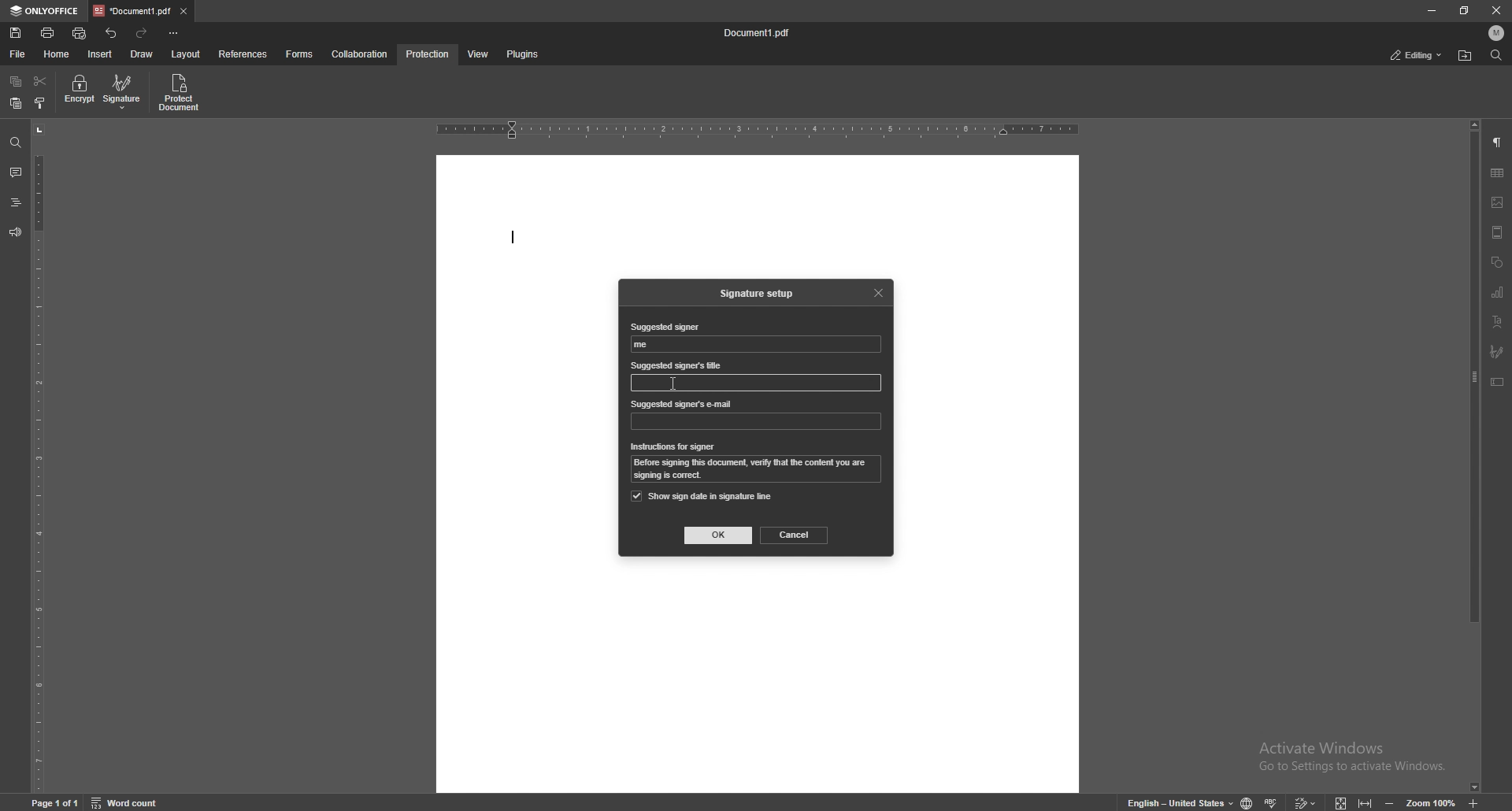 This screenshot has height=811, width=1512. Describe the element at coordinates (49, 32) in the screenshot. I see `print` at that location.